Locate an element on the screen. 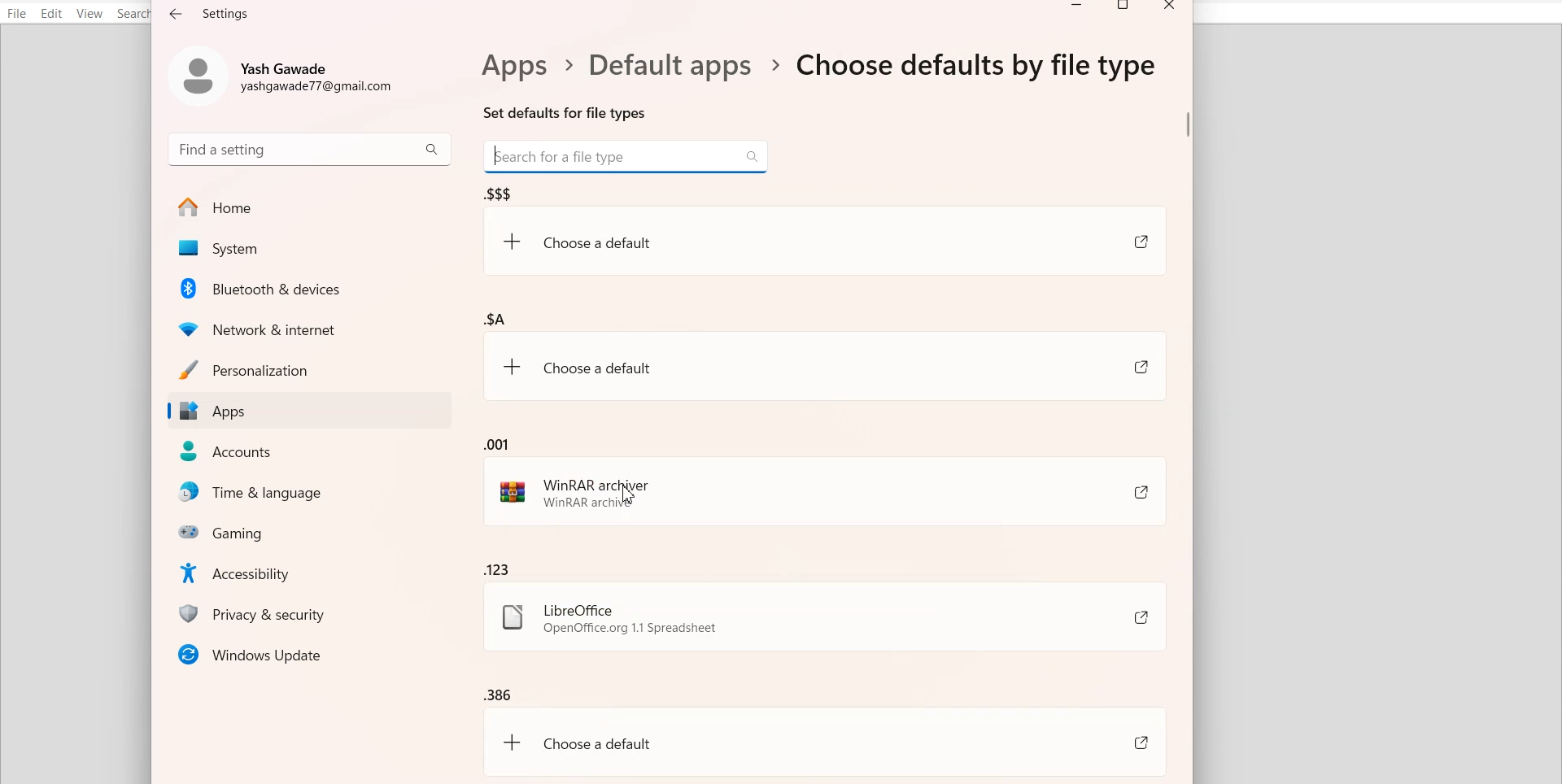  Network & Internet is located at coordinates (311, 327).